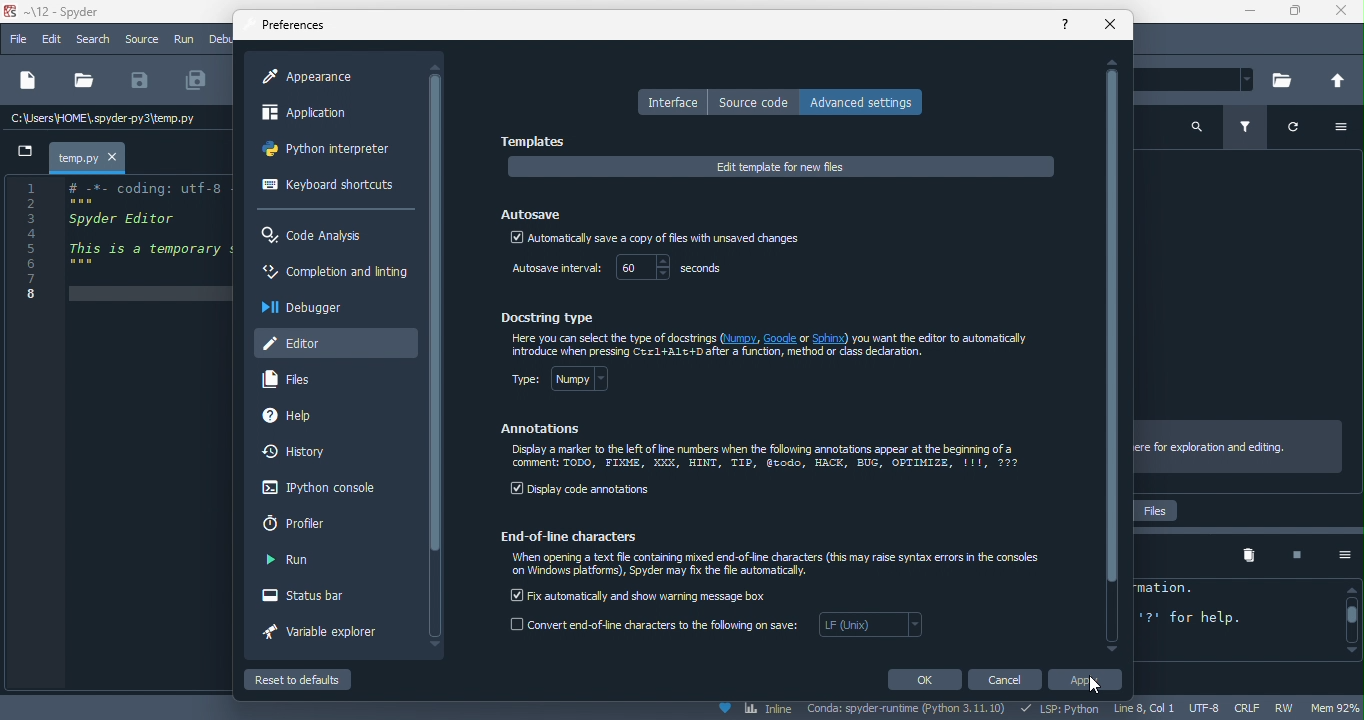  Describe the element at coordinates (776, 346) in the screenshot. I see `docstring text` at that location.